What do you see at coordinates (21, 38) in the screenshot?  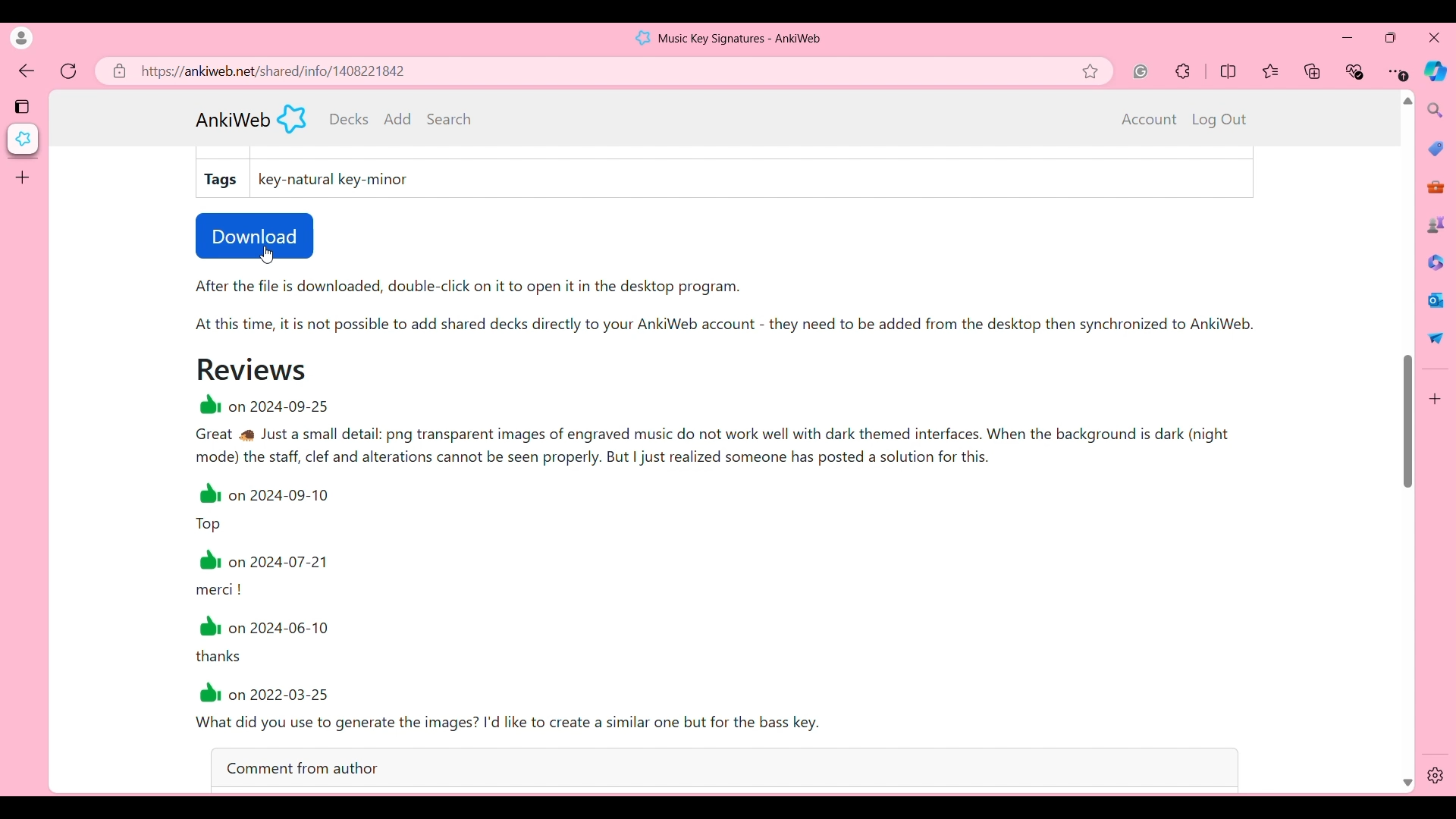 I see `Click to see current account's details` at bounding box center [21, 38].